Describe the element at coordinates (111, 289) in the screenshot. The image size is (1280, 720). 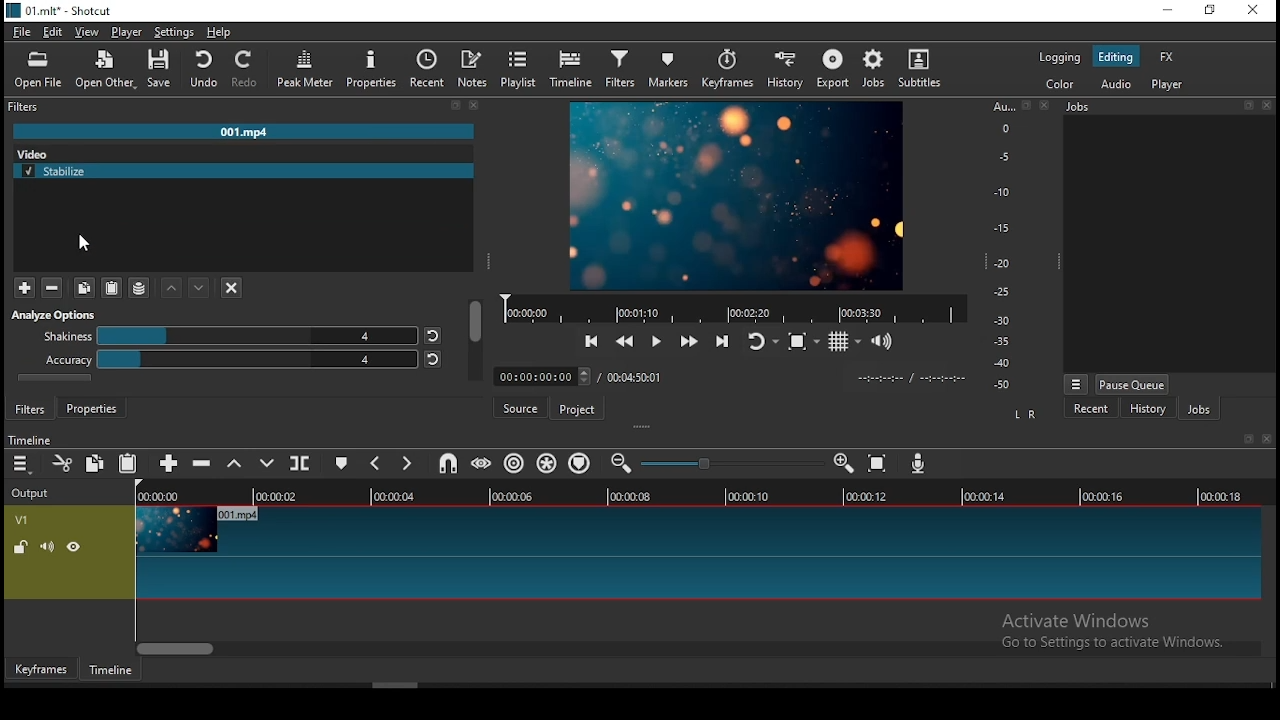
I see `copy` at that location.